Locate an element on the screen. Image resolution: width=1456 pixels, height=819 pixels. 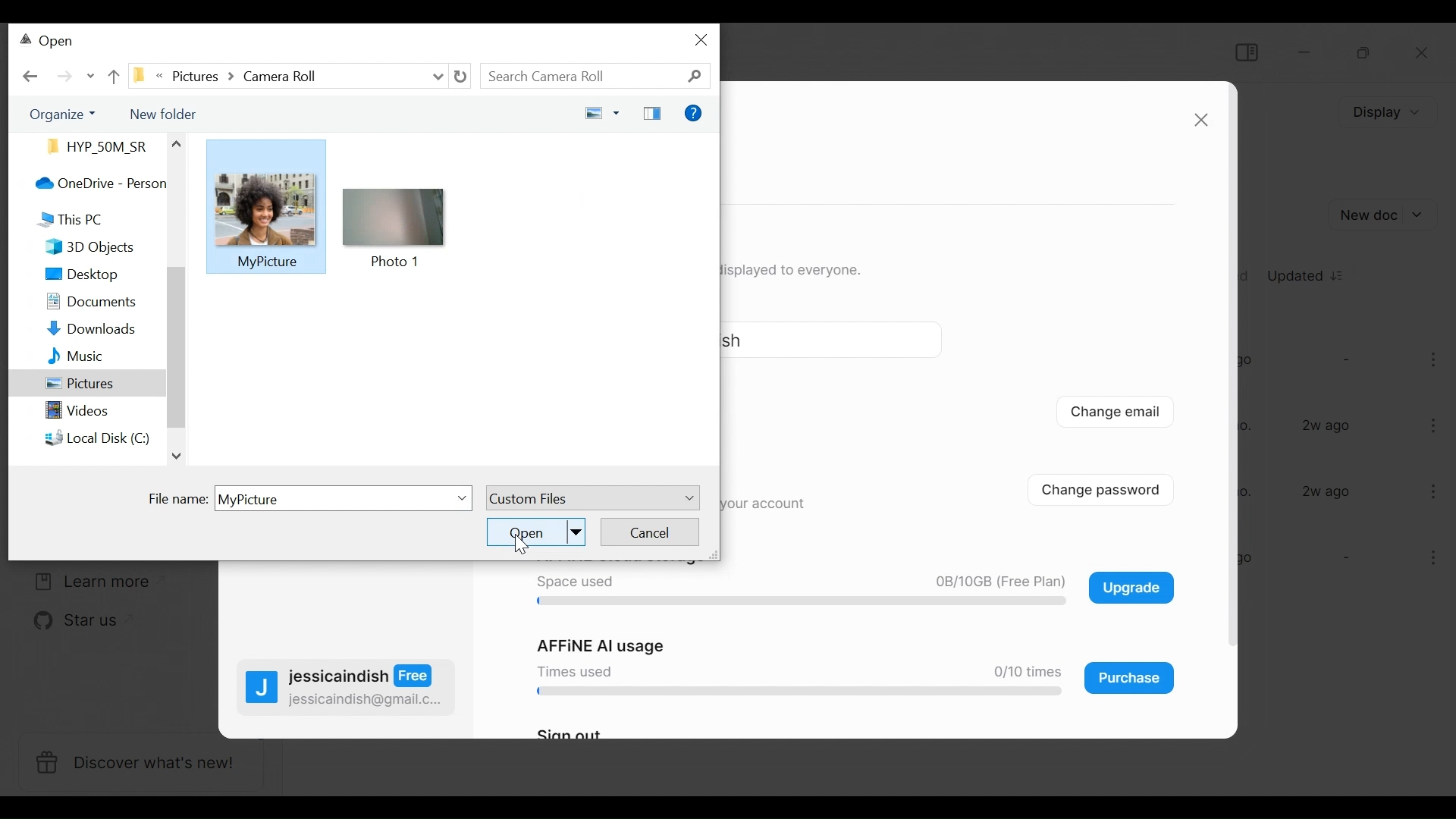
Search Documents is located at coordinates (597, 77).